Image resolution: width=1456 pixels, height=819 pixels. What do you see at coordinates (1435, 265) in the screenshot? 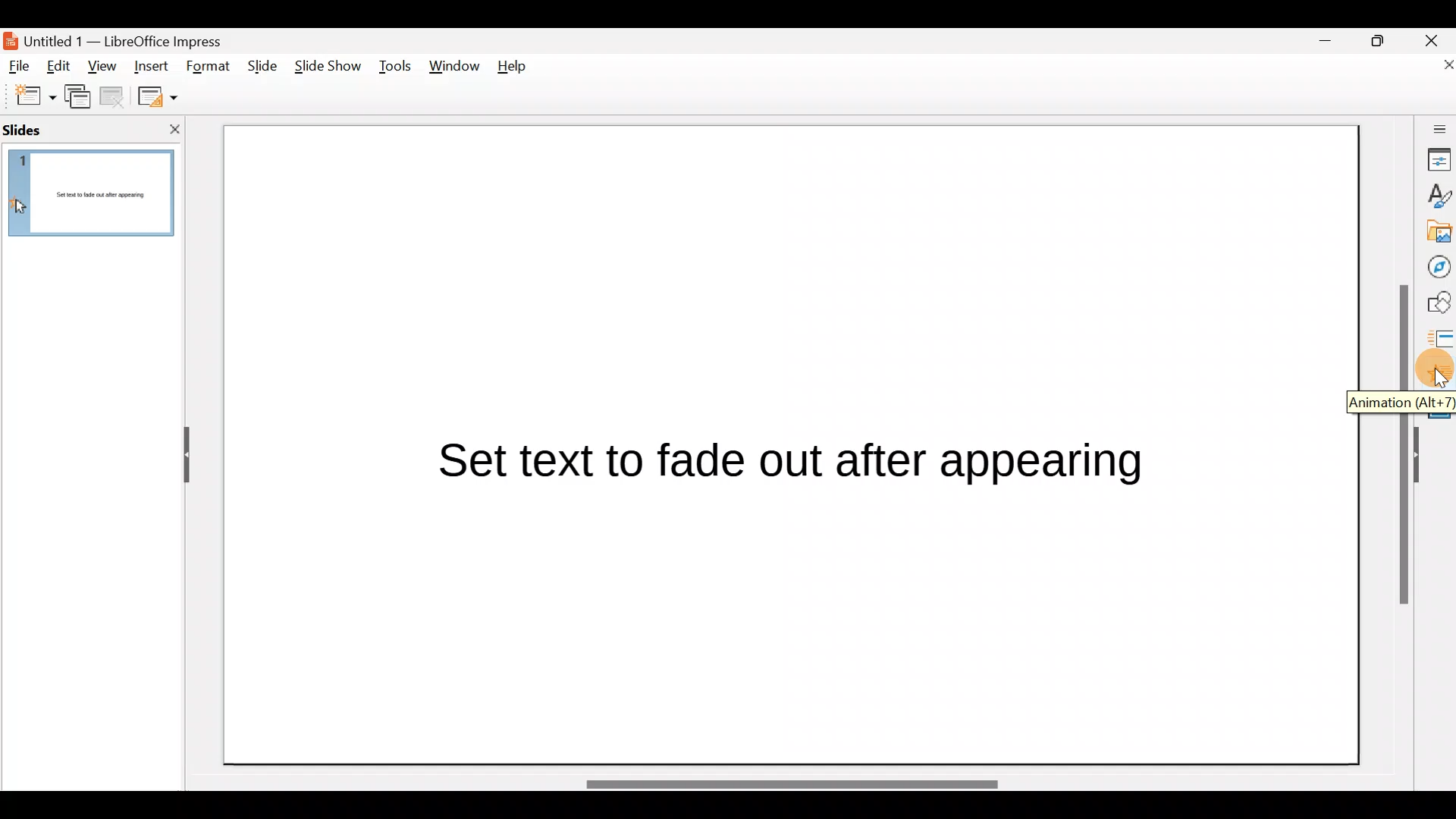
I see `Navigator` at bounding box center [1435, 265].